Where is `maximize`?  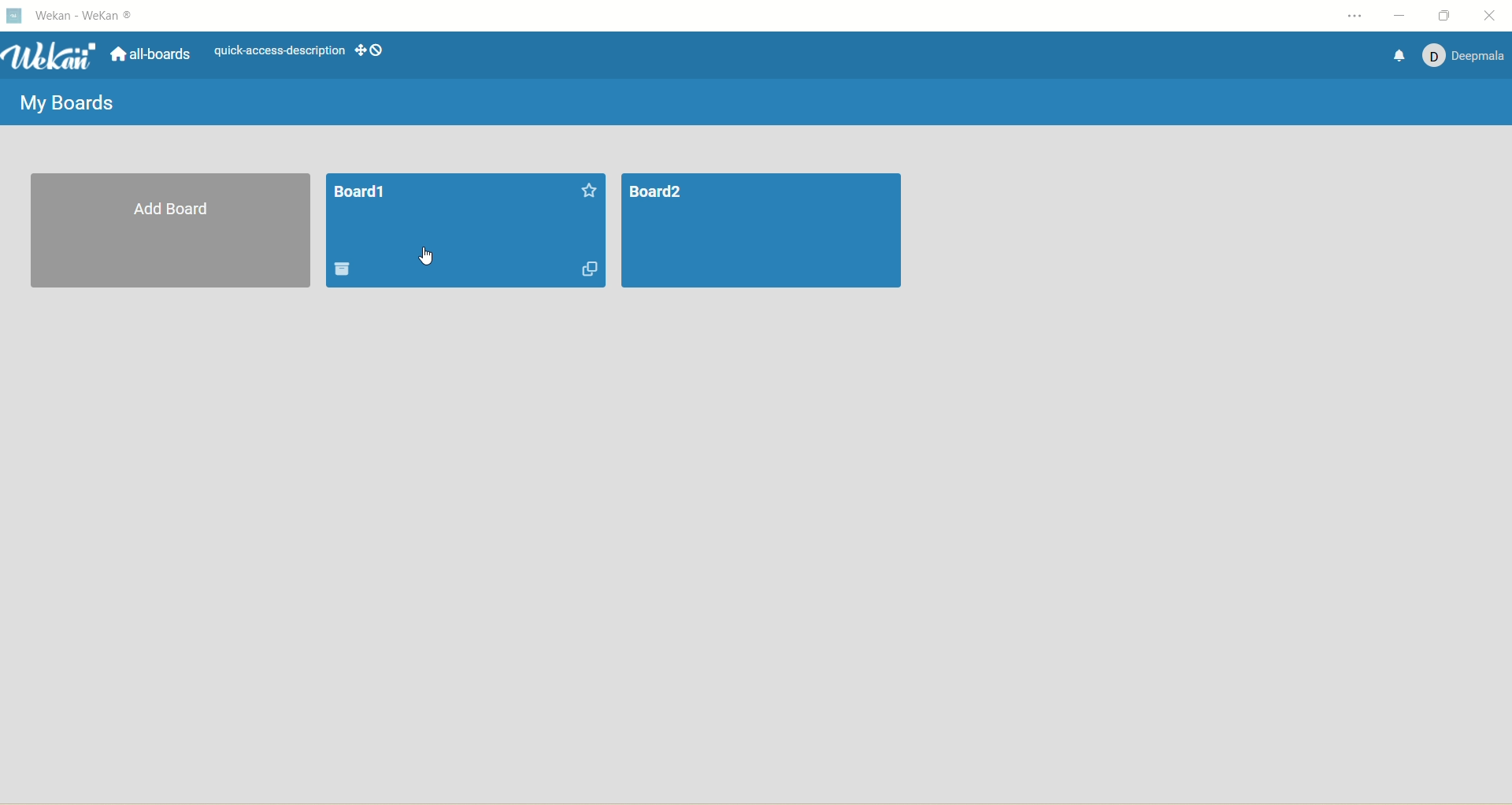 maximize is located at coordinates (1447, 15).